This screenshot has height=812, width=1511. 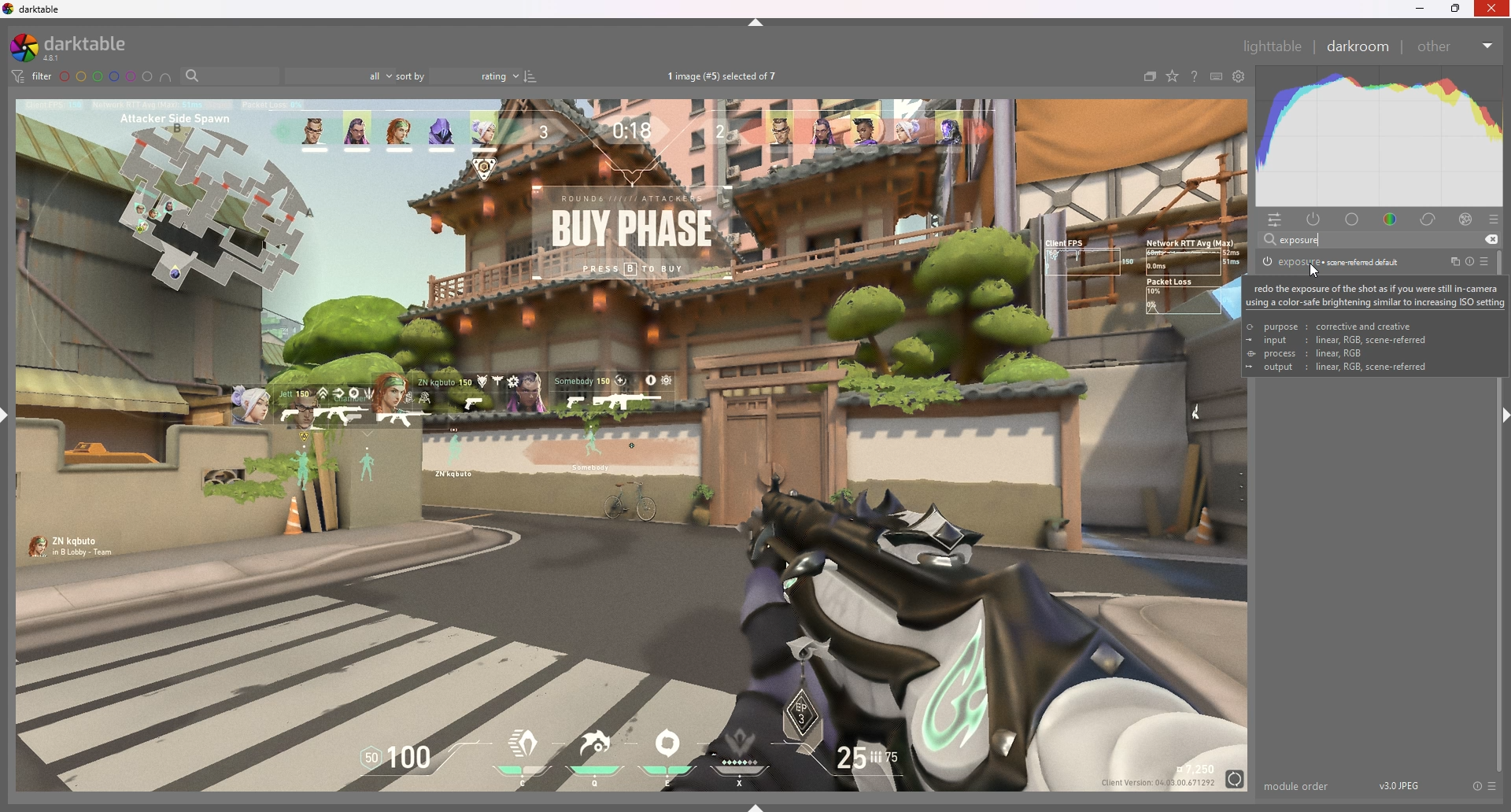 I want to click on darktable, so click(x=79, y=47).